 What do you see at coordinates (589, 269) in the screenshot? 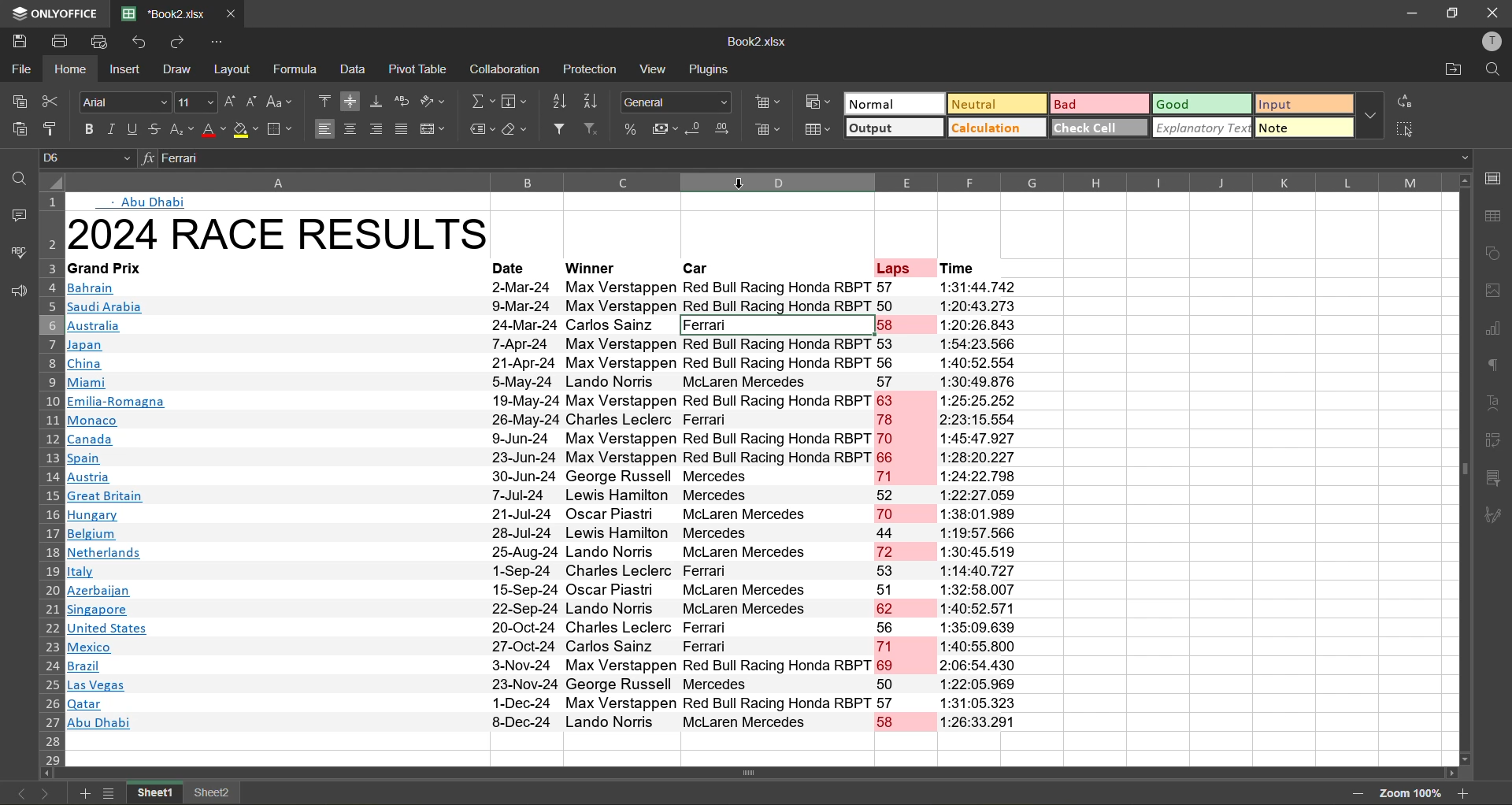
I see `‘Winner` at bounding box center [589, 269].